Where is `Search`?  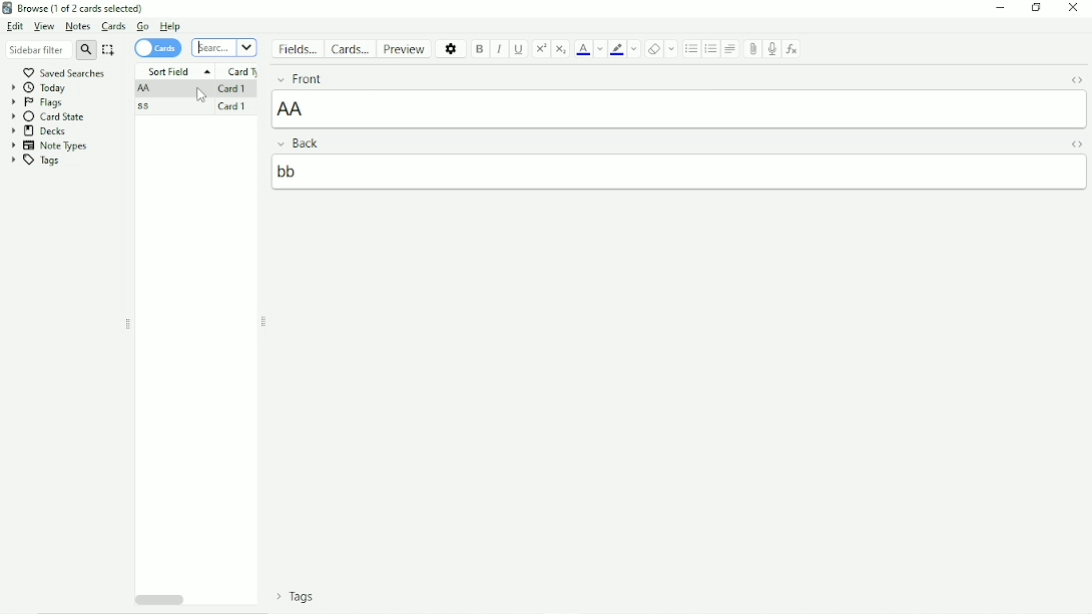 Search is located at coordinates (226, 47).